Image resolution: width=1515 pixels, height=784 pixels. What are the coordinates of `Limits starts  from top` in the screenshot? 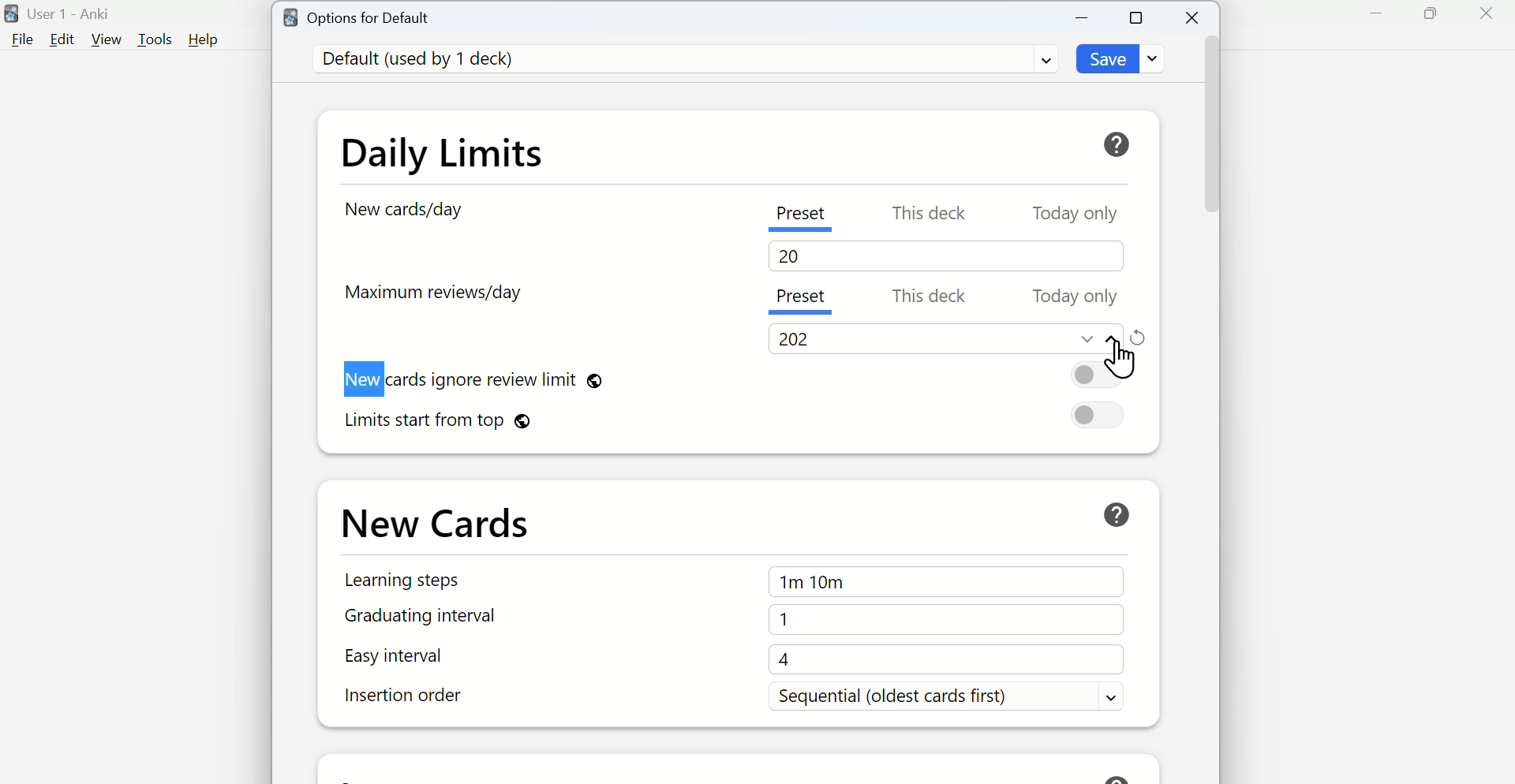 It's located at (735, 415).